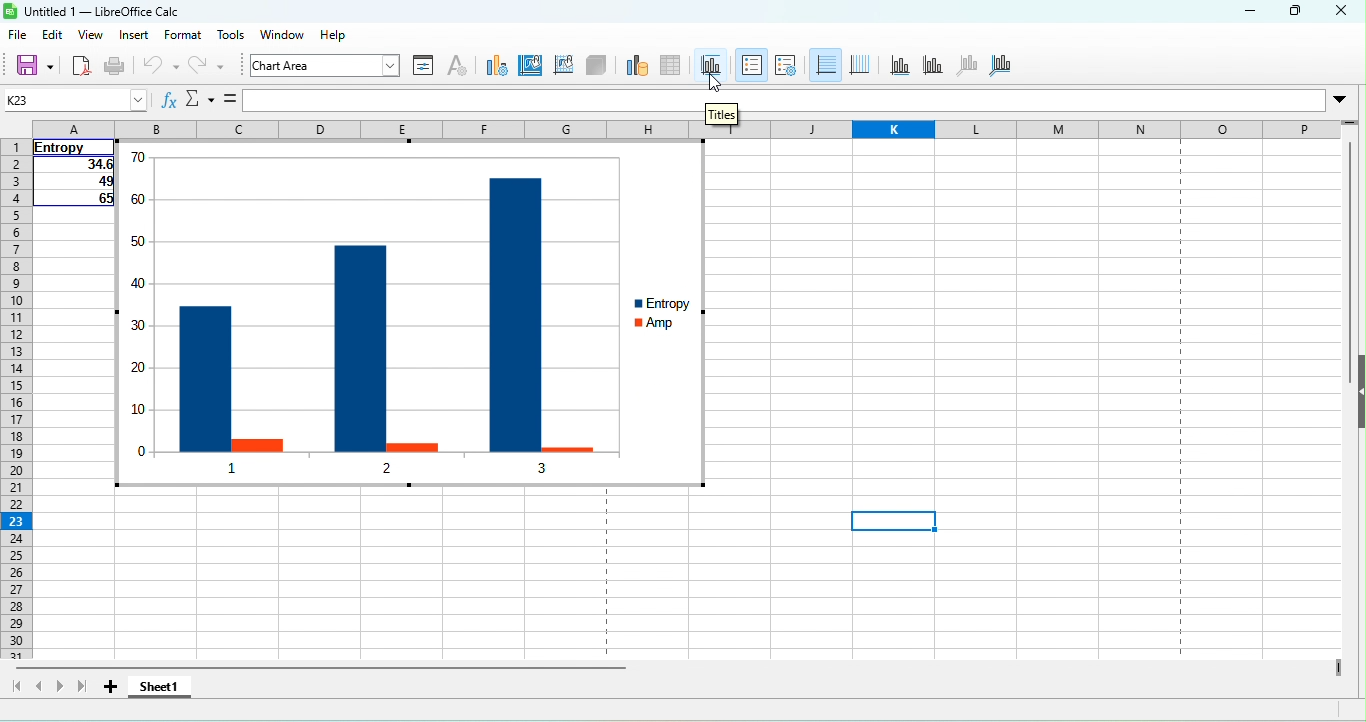  What do you see at coordinates (77, 200) in the screenshot?
I see `65` at bounding box center [77, 200].